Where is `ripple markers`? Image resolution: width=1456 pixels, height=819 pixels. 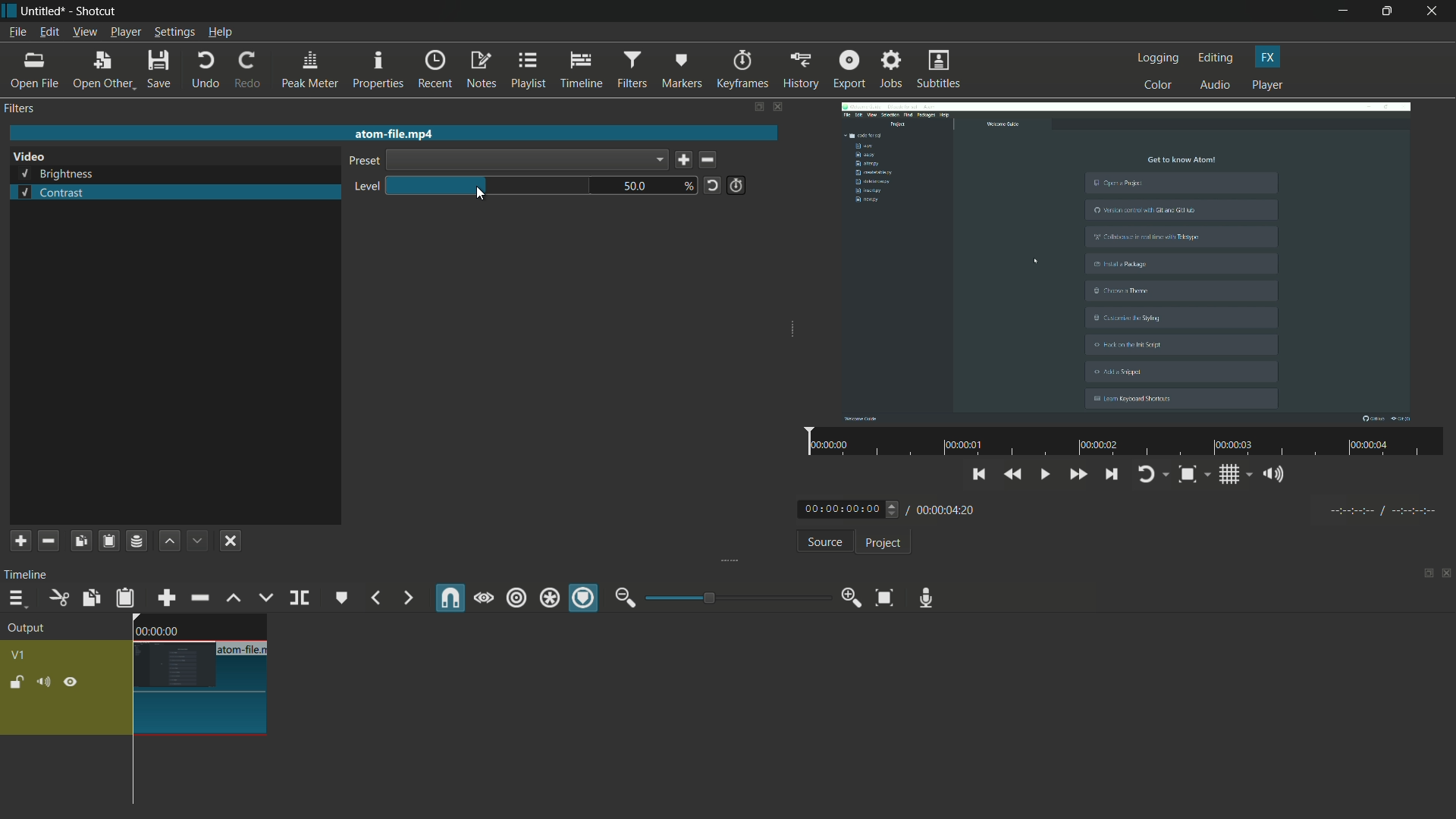 ripple markers is located at coordinates (585, 599).